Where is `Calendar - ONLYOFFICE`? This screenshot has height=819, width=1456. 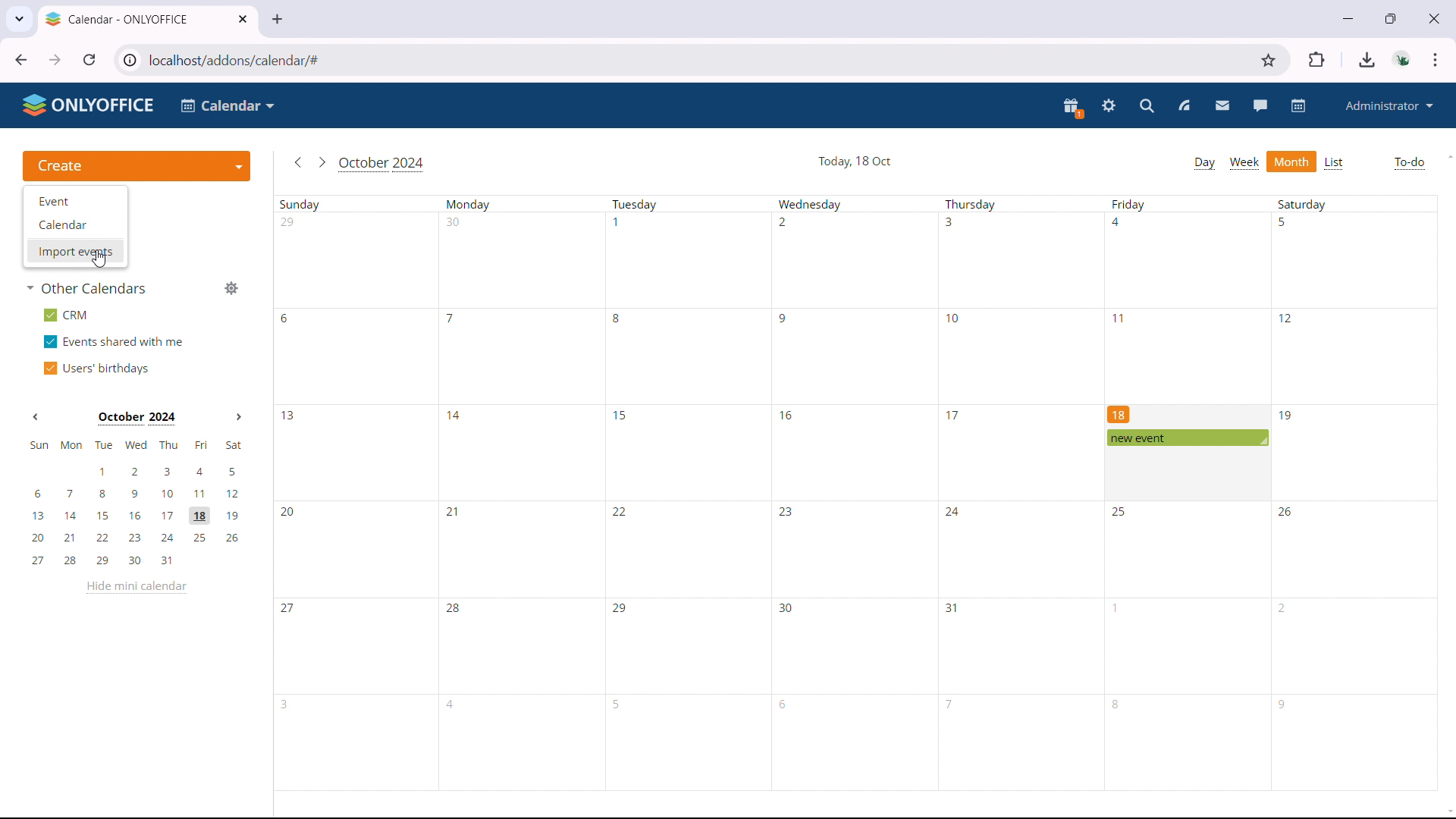
Calendar - ONLYOFFICE is located at coordinates (118, 19).